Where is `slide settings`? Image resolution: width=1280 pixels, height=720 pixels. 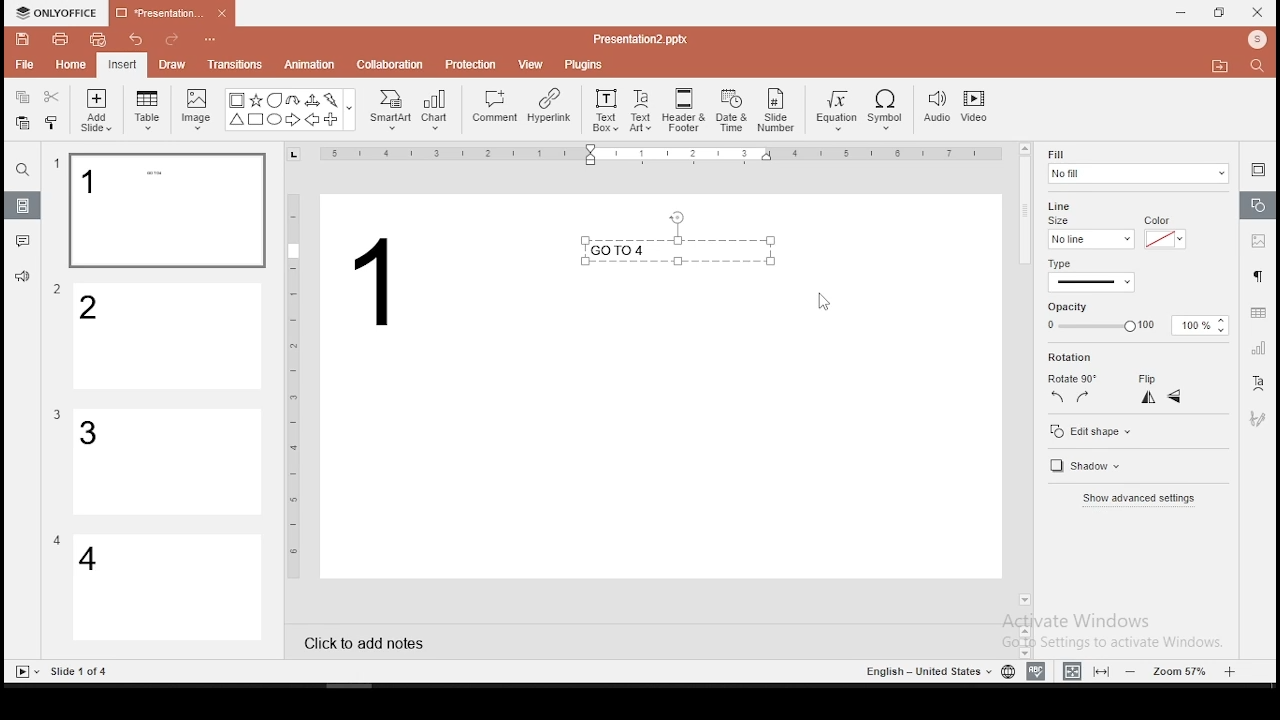
slide settings is located at coordinates (1258, 169).